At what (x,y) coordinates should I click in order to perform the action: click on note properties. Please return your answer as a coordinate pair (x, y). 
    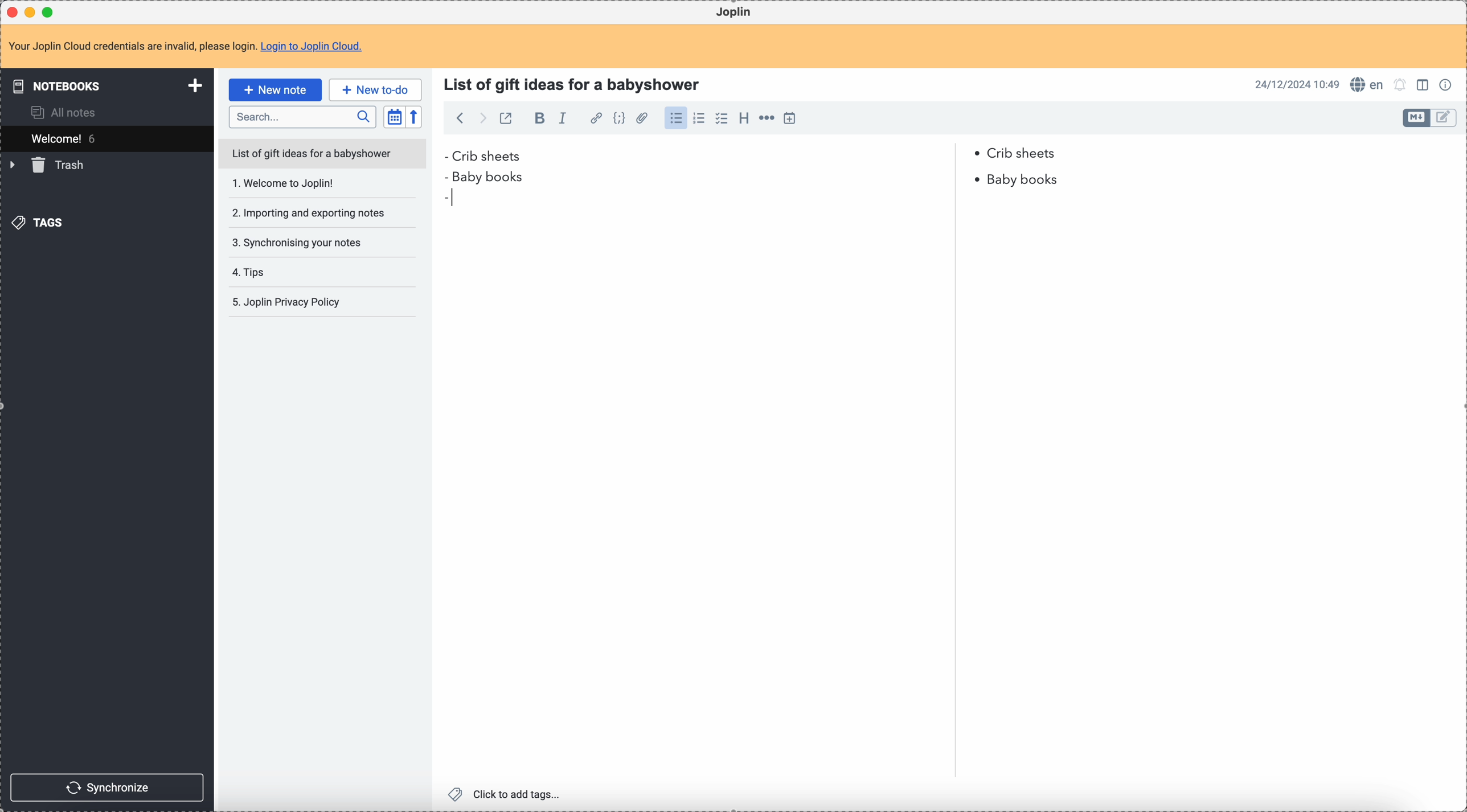
    Looking at the image, I should click on (1448, 84).